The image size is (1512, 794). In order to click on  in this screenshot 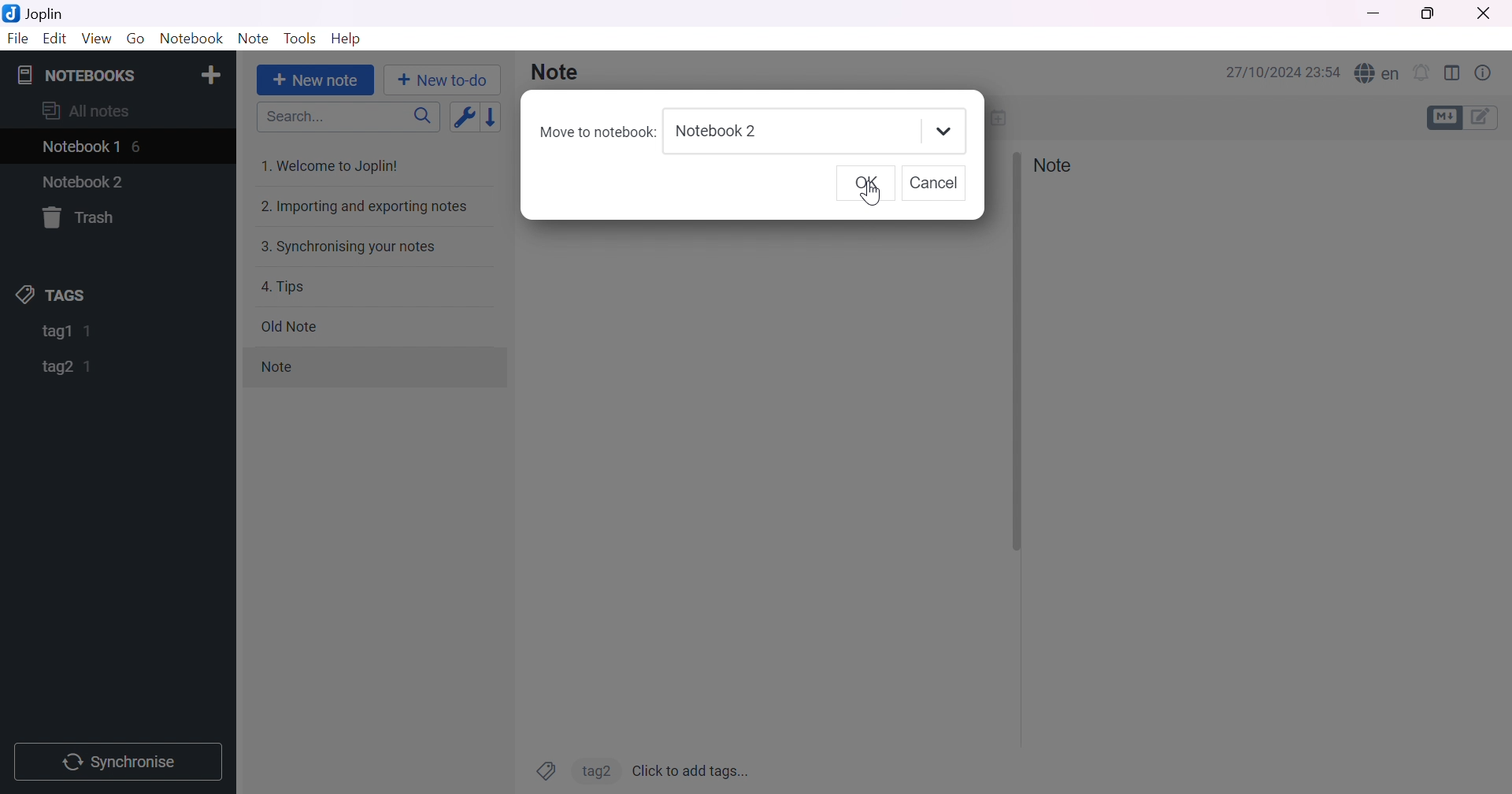, I will do `click(869, 198)`.